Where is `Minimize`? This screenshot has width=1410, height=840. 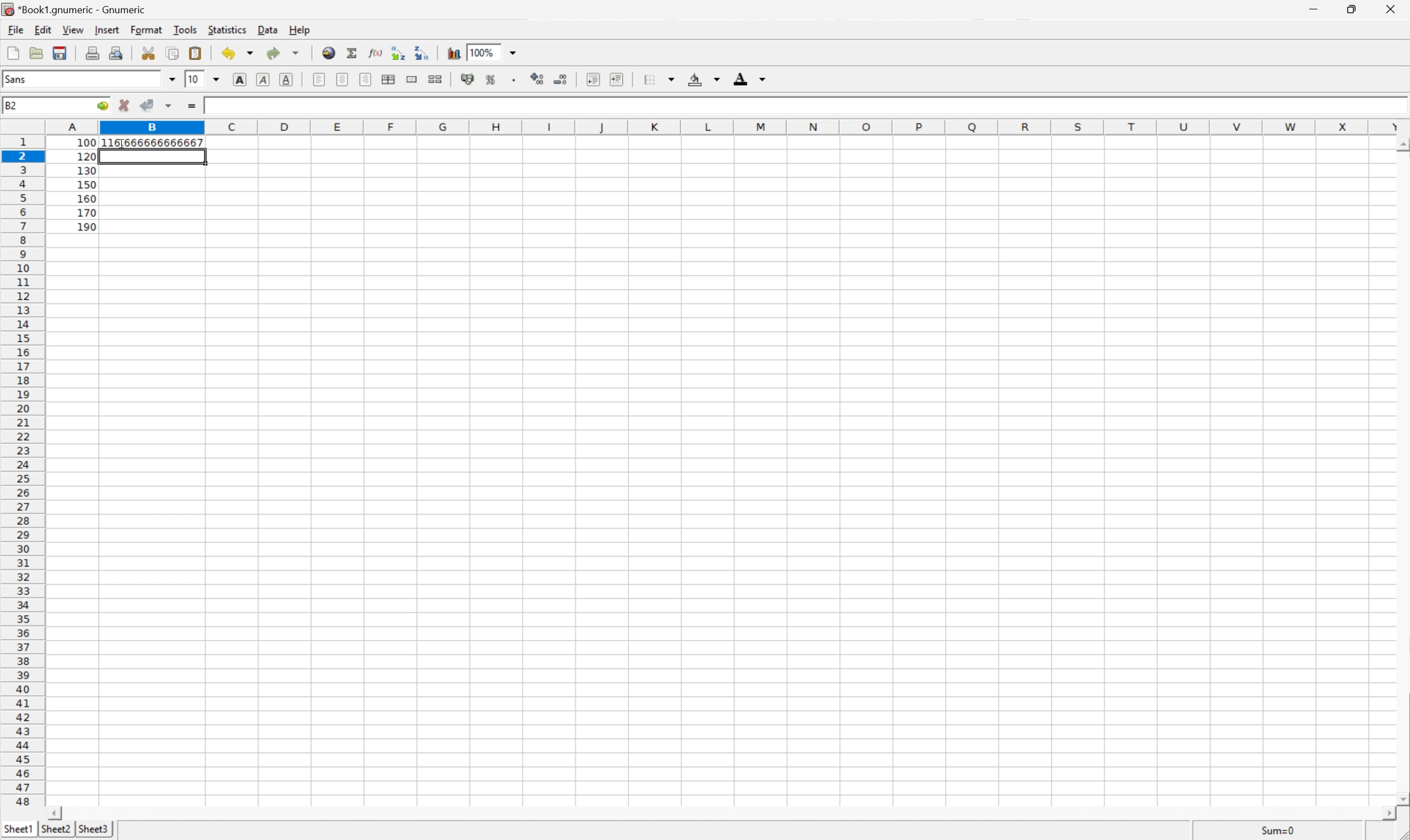 Minimize is located at coordinates (1310, 8).